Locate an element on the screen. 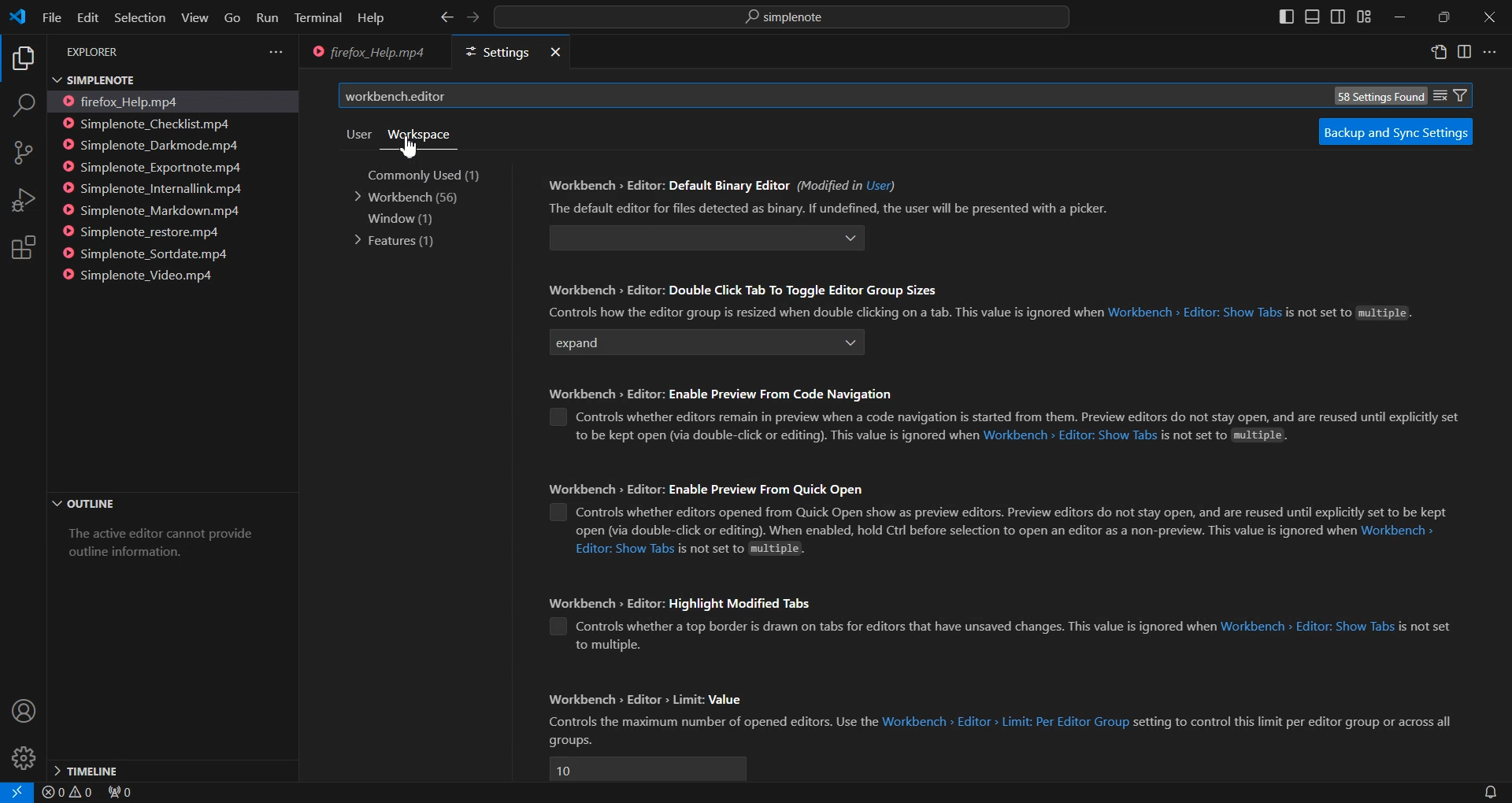 The width and height of the screenshot is (1512, 803). Hyperlink for file adress is located at coordinates (1195, 314).